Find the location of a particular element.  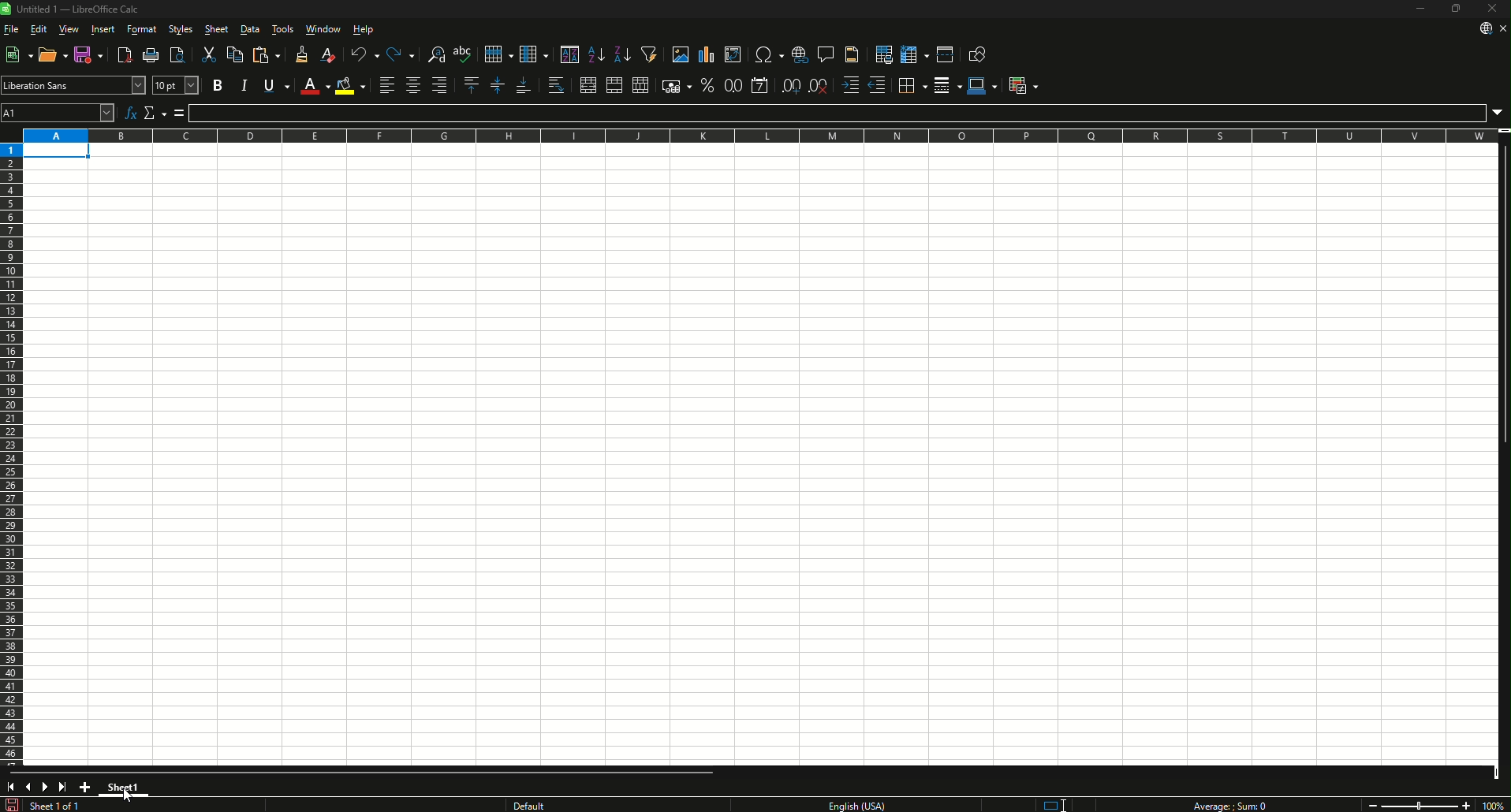

Sheet is located at coordinates (218, 28).